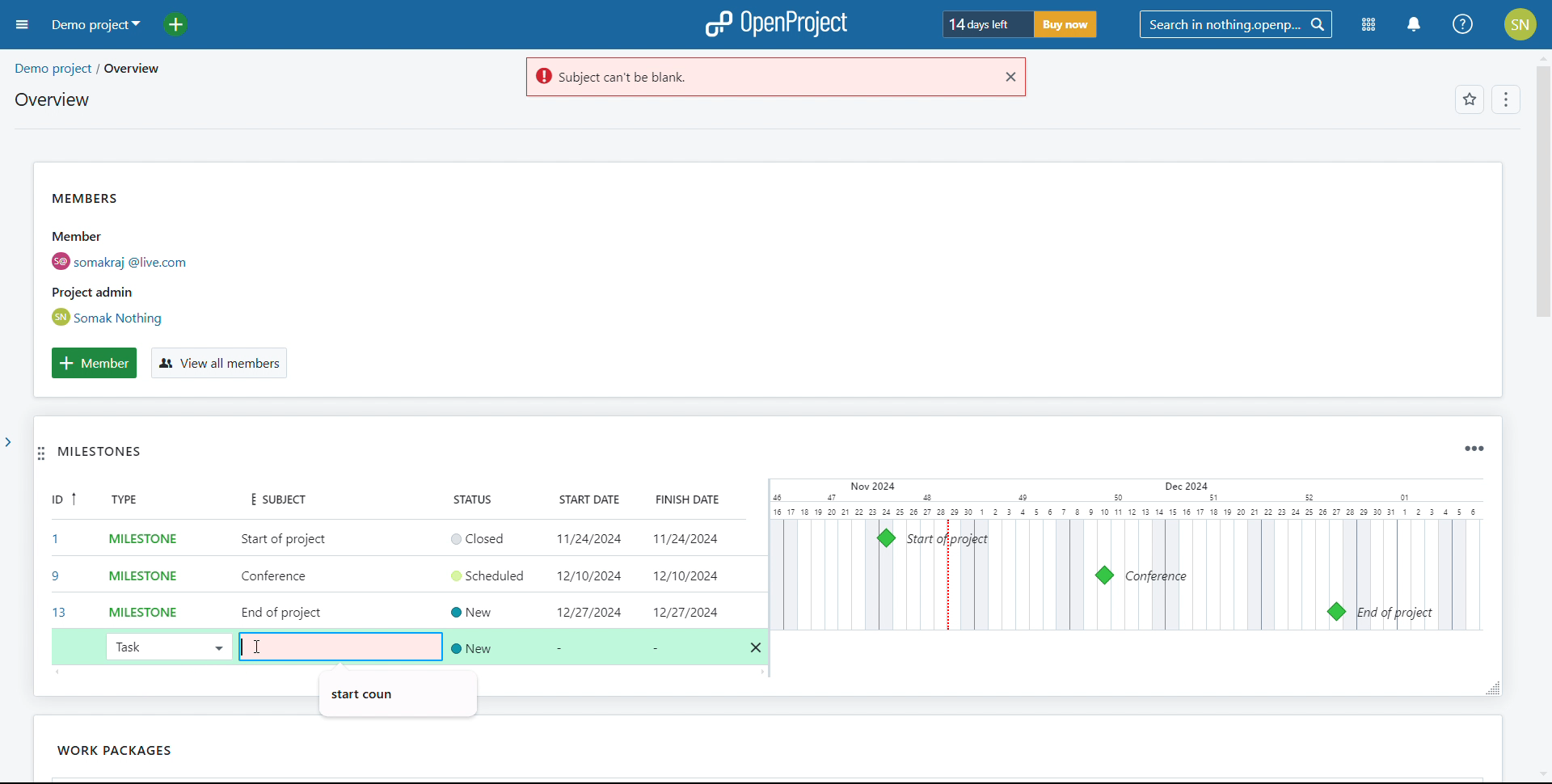 This screenshot has height=784, width=1552. What do you see at coordinates (272, 498) in the screenshot?
I see `subject` at bounding box center [272, 498].